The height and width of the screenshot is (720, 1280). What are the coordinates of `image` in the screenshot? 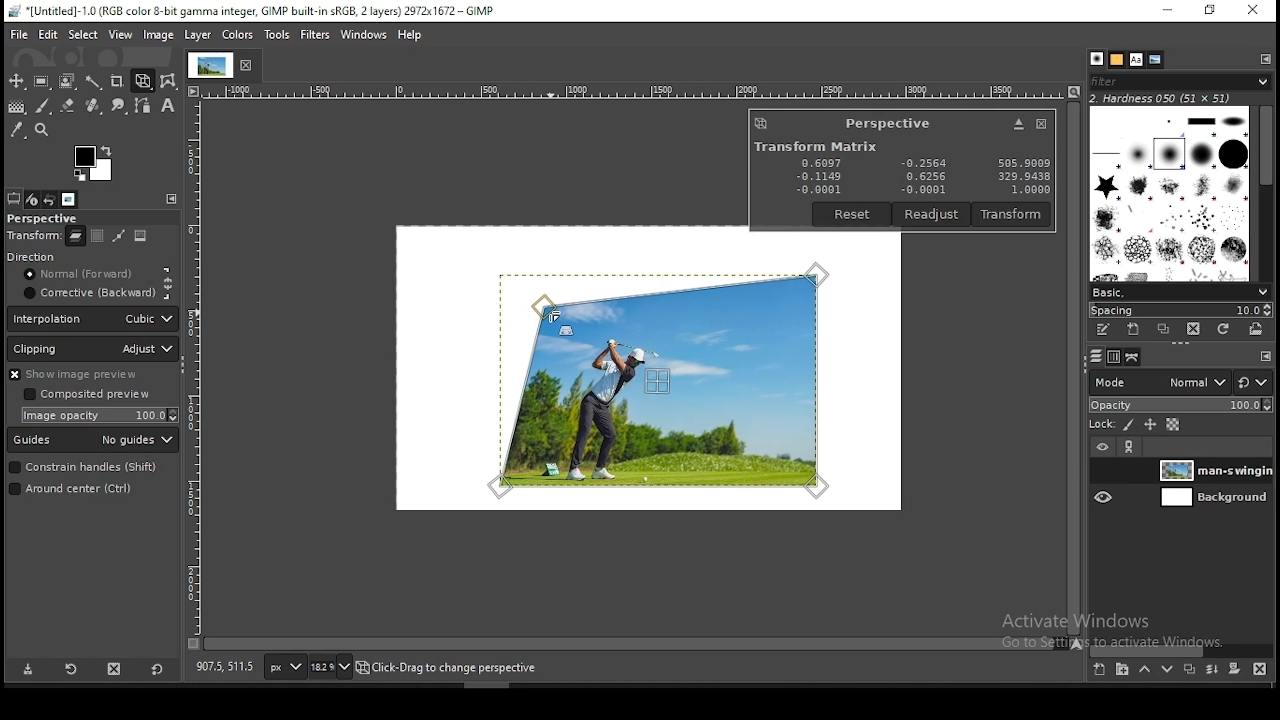 It's located at (664, 378).